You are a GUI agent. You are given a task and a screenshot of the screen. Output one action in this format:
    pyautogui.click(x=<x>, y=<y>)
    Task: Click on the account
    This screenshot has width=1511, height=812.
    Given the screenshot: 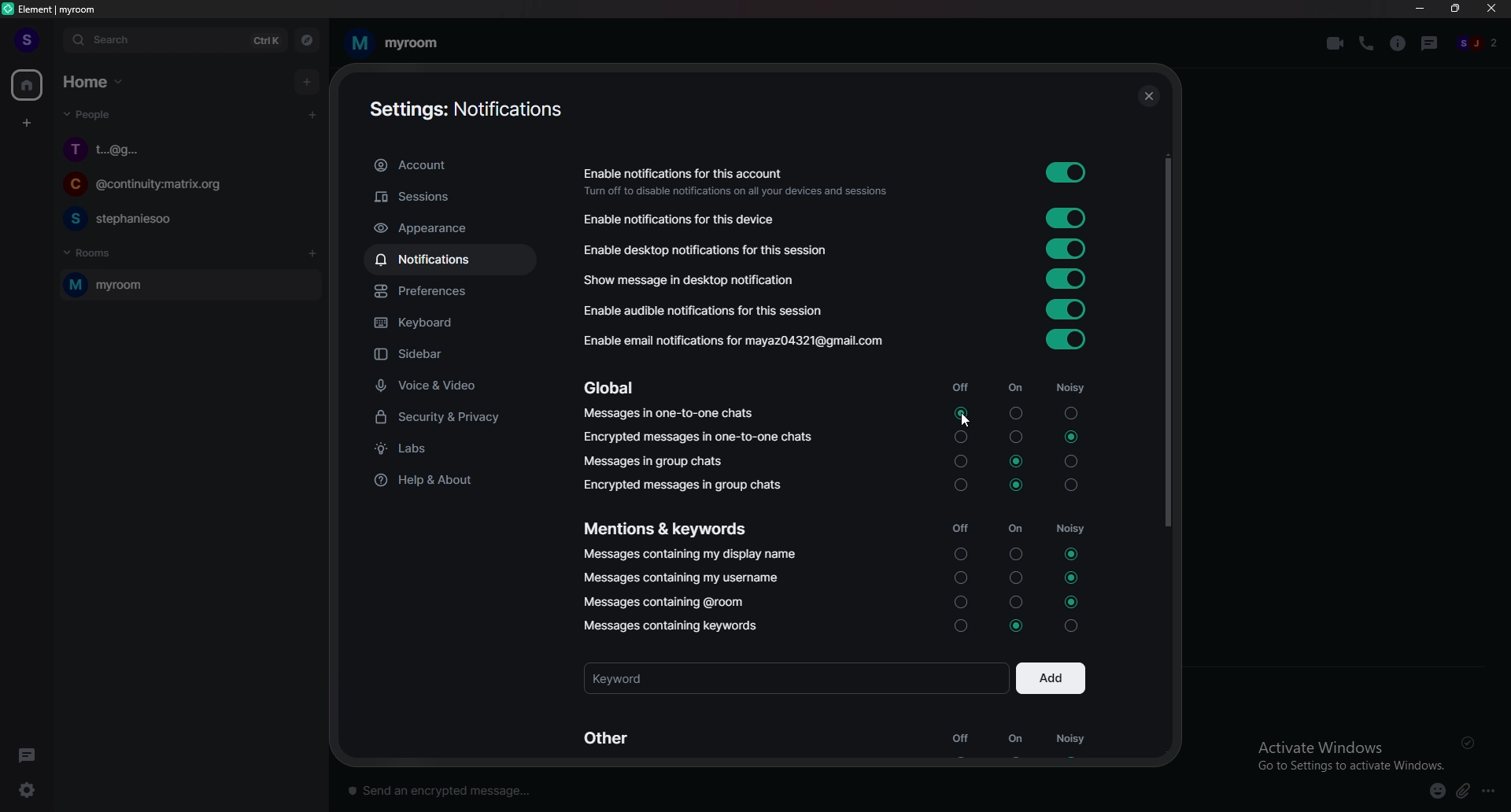 What is the action you would take?
    pyautogui.click(x=454, y=164)
    